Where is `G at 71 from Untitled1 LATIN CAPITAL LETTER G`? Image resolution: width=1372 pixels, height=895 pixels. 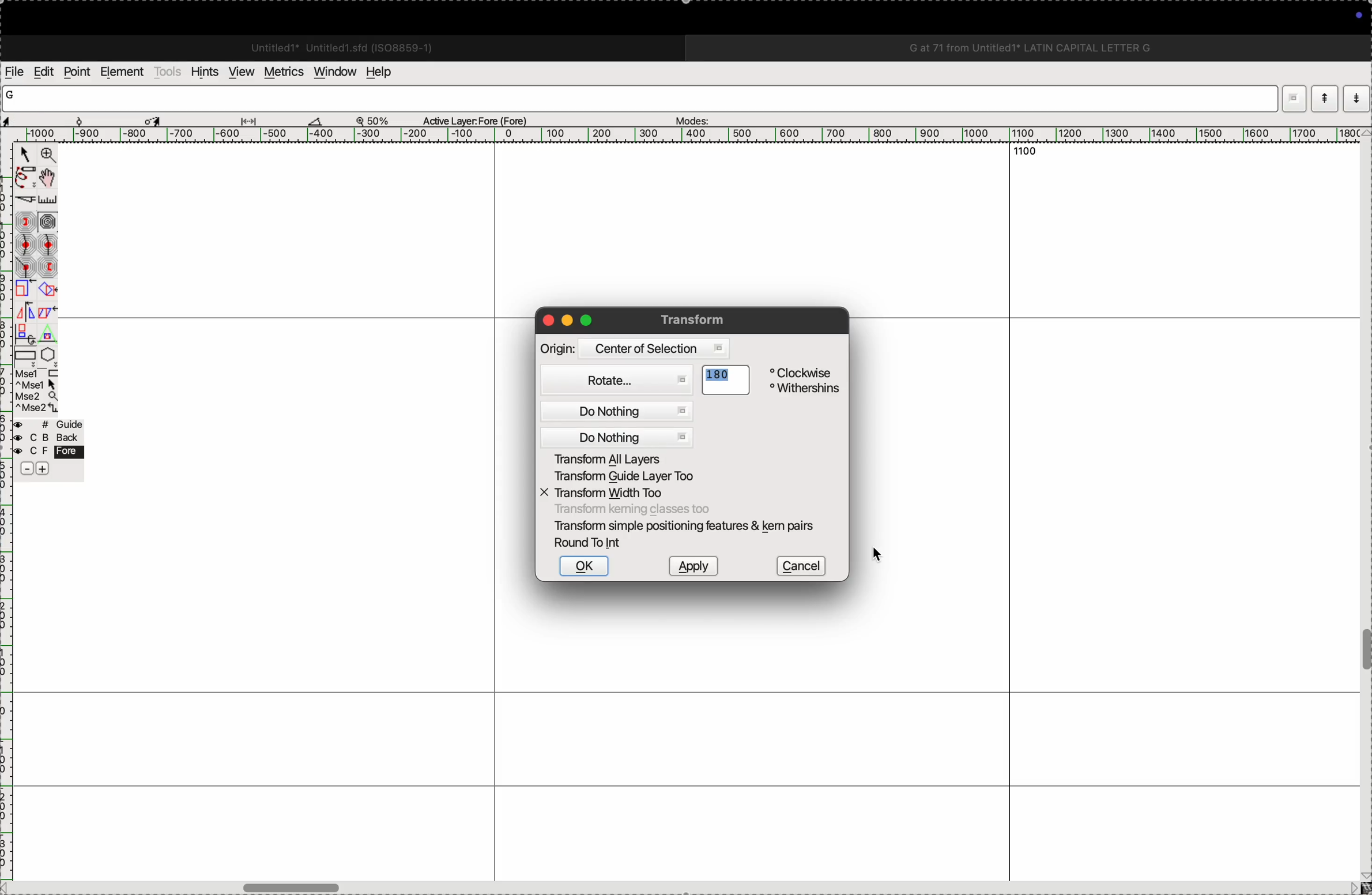
G at 71 from Untitled1 LATIN CAPITAL LETTER G is located at coordinates (1027, 46).